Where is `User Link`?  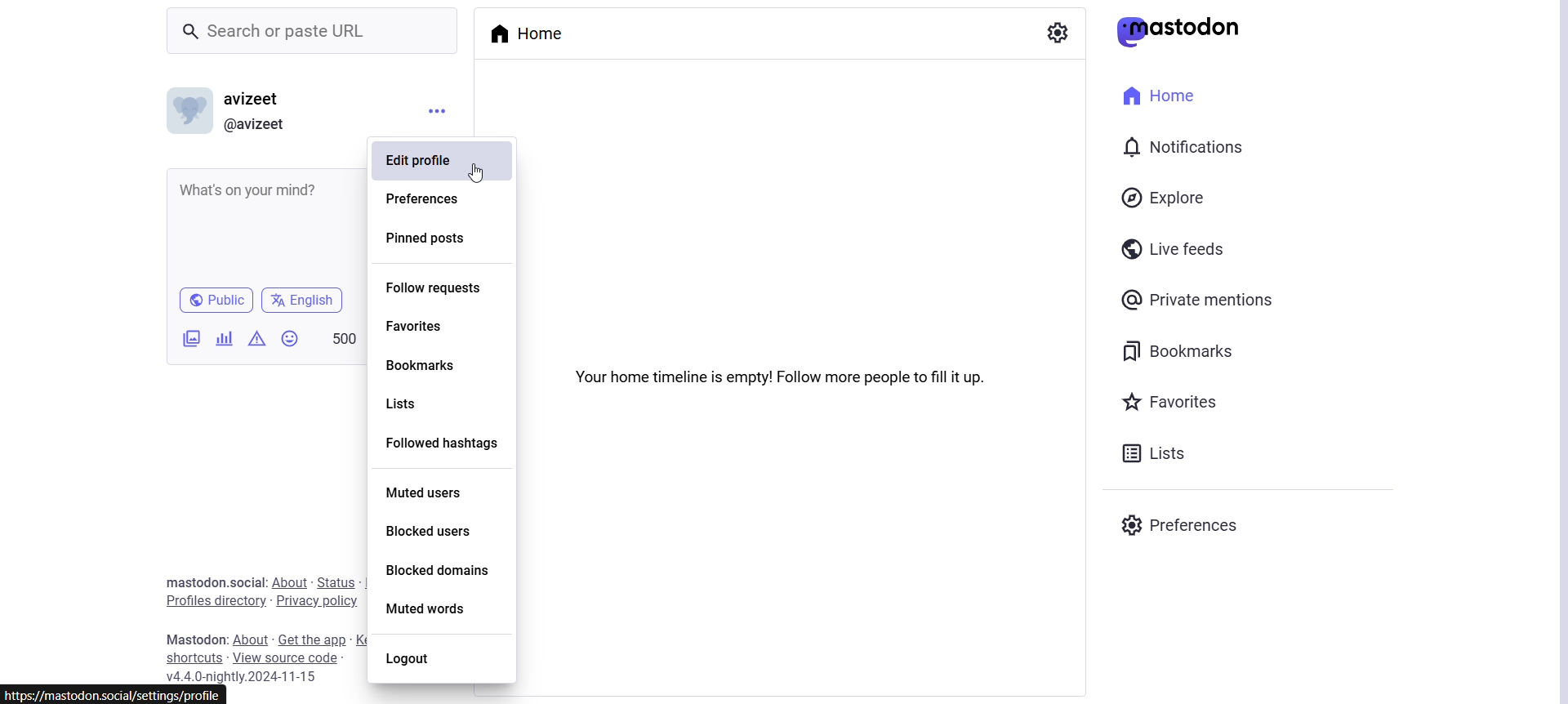
User Link is located at coordinates (256, 125).